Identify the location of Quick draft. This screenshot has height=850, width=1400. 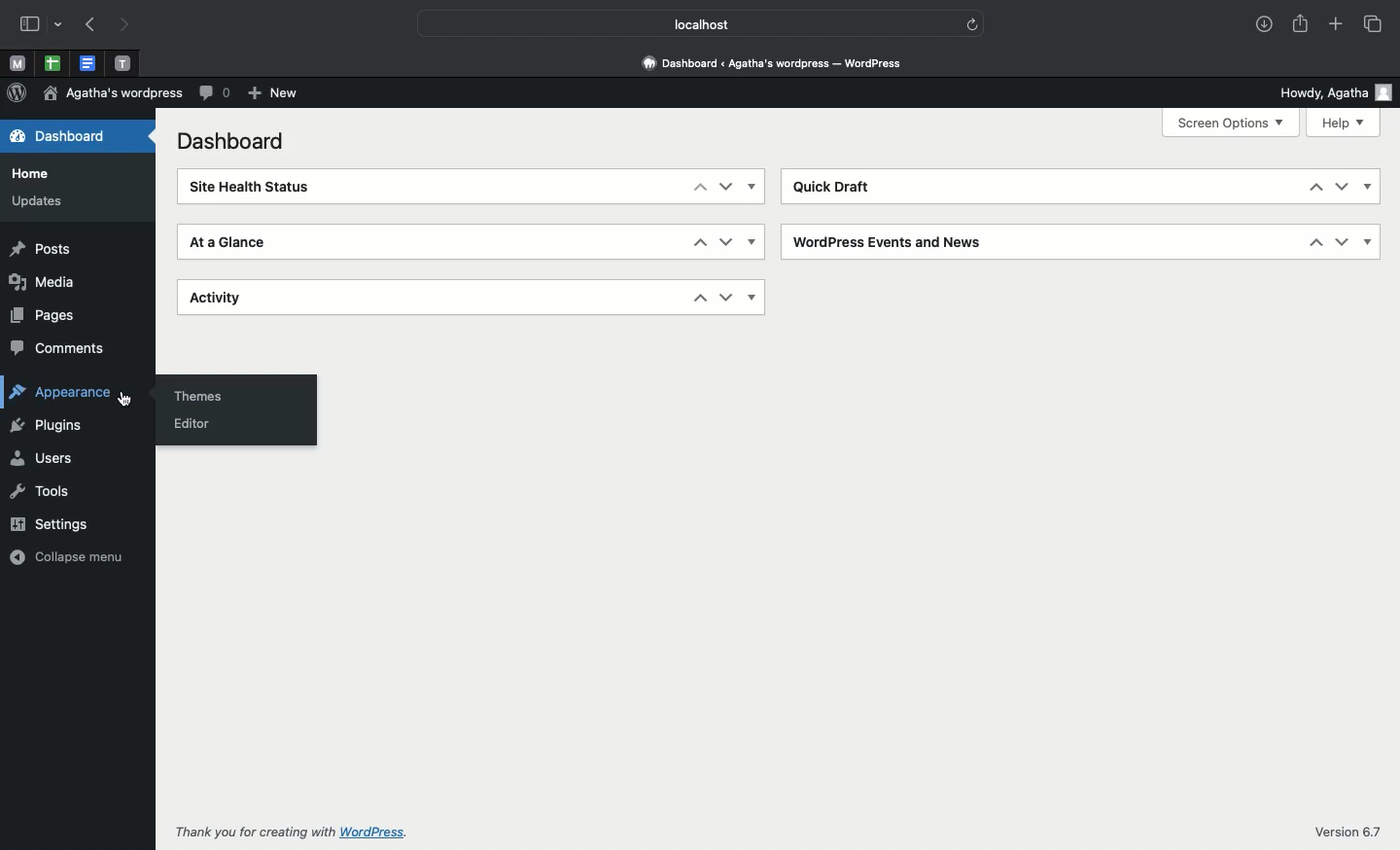
(832, 186).